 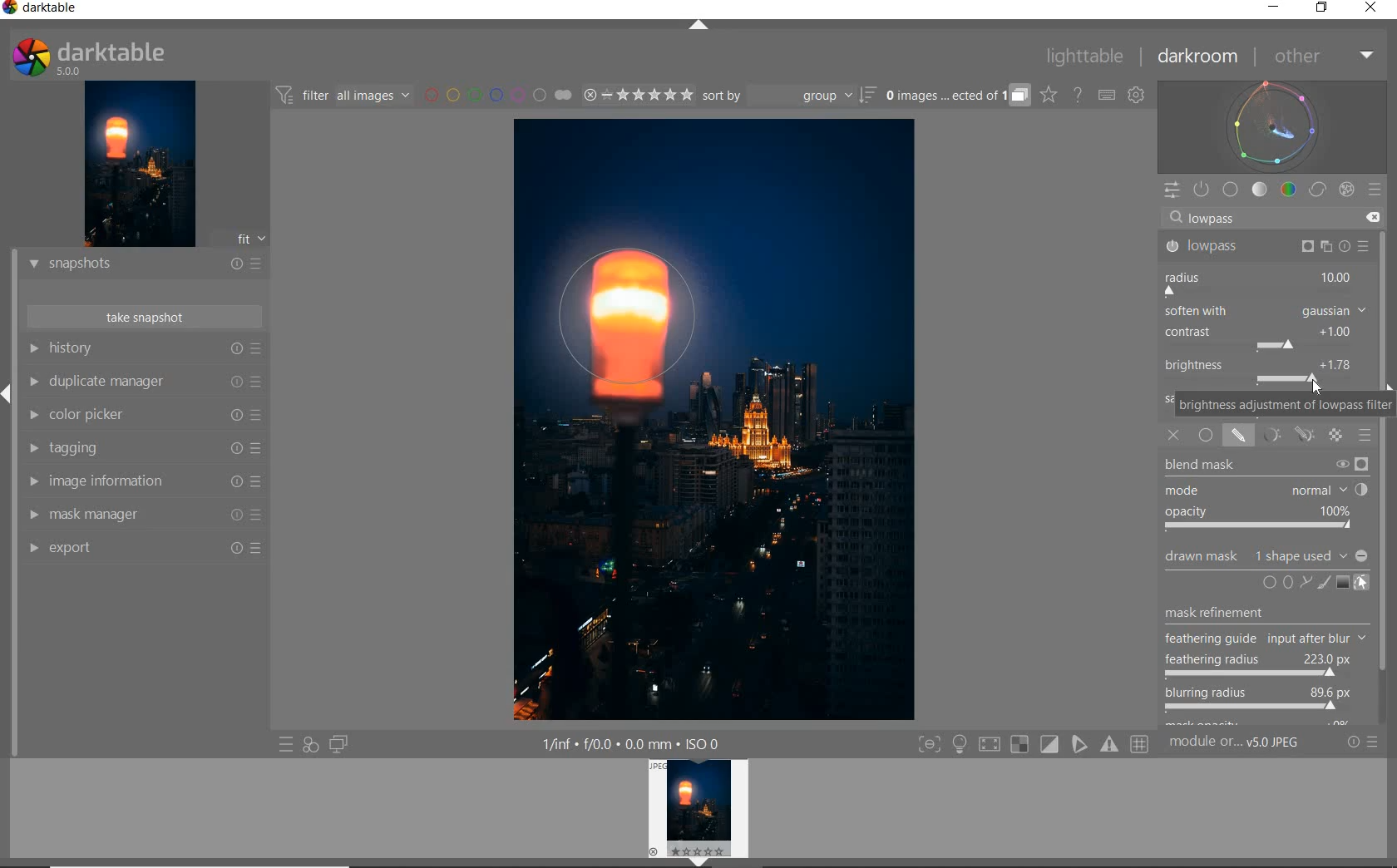 I want to click on TOGGLE MODES, so click(x=1034, y=744).